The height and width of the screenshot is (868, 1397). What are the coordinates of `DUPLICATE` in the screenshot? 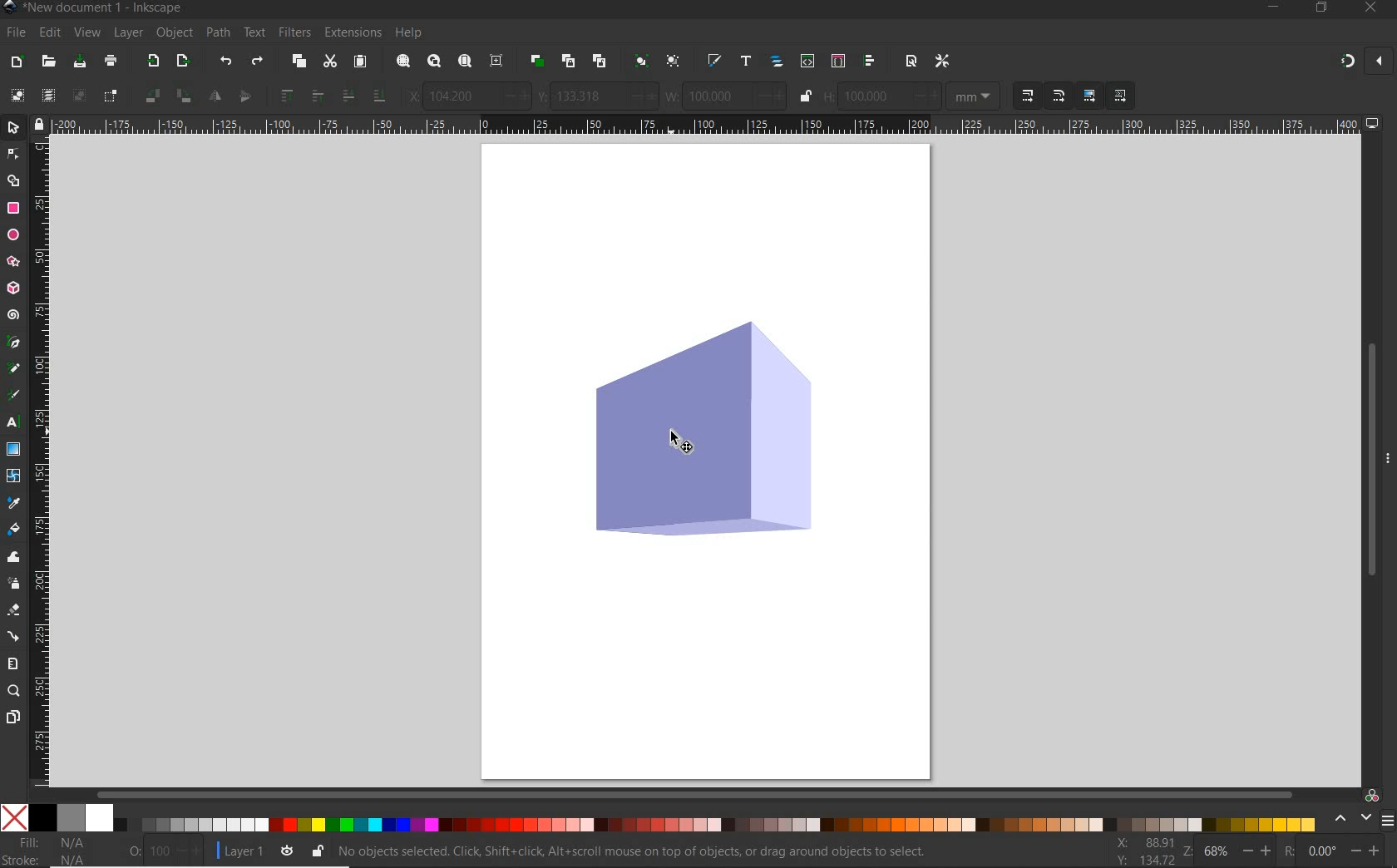 It's located at (536, 61).